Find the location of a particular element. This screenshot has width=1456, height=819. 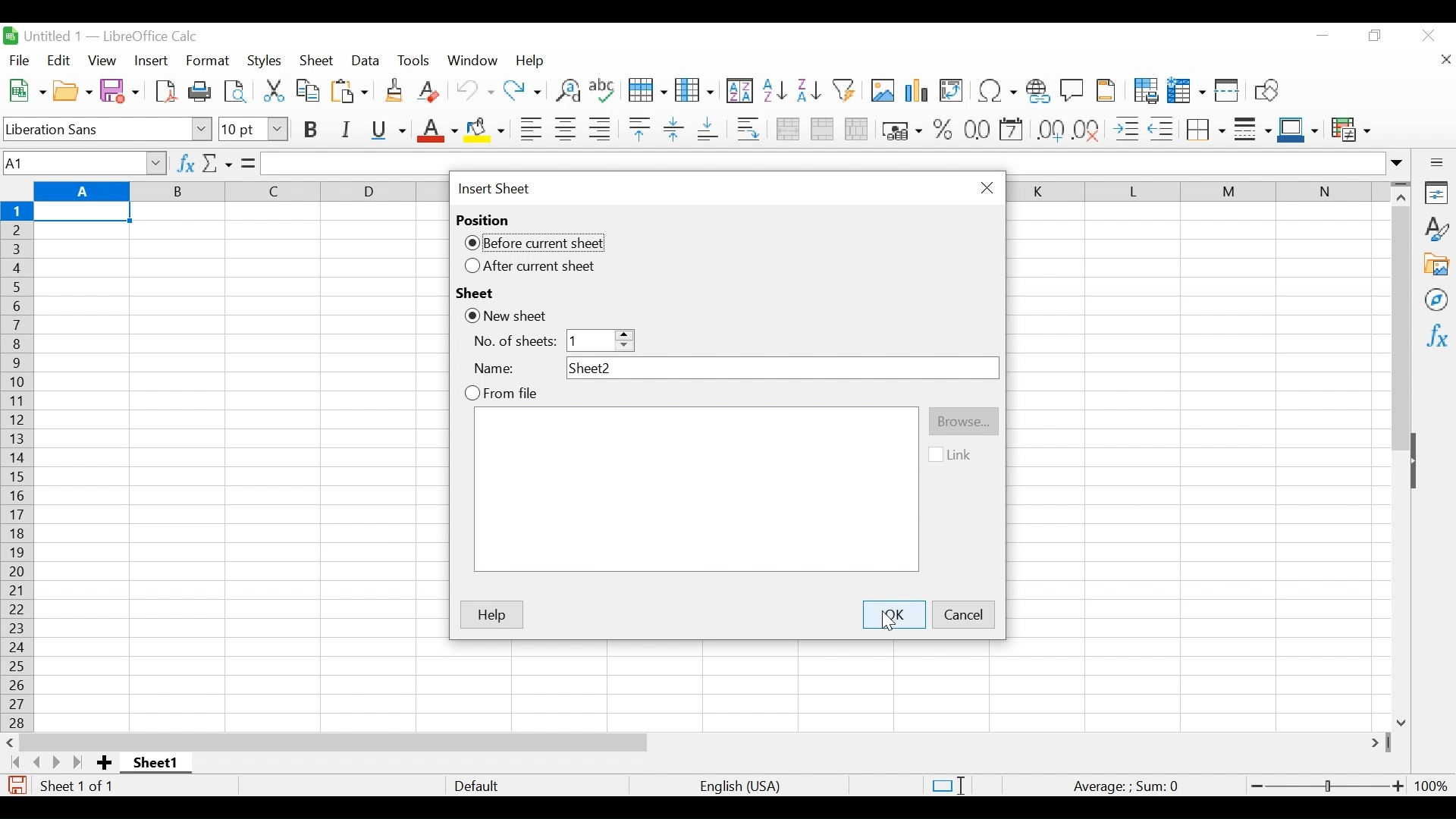

Define Print Area is located at coordinates (1145, 90).